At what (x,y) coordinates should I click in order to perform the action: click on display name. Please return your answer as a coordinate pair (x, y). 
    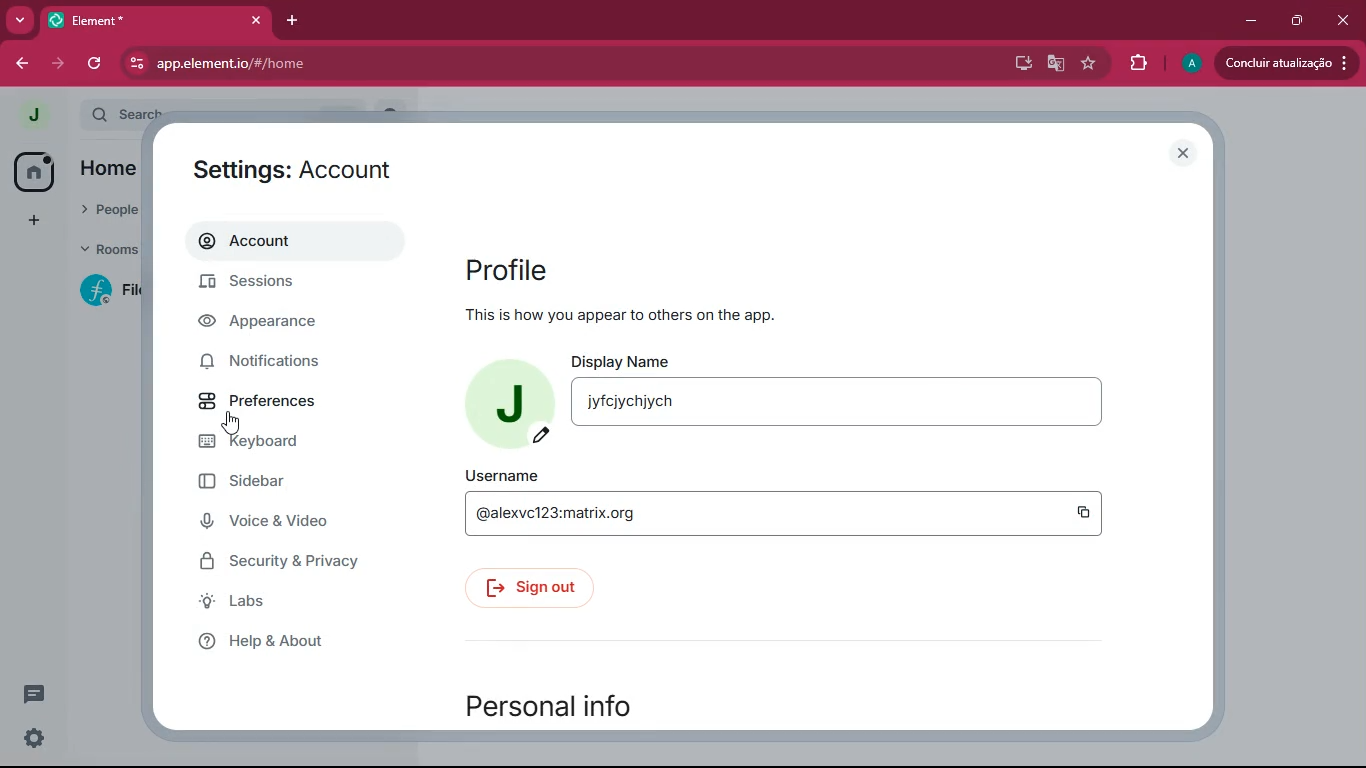
    Looking at the image, I should click on (844, 391).